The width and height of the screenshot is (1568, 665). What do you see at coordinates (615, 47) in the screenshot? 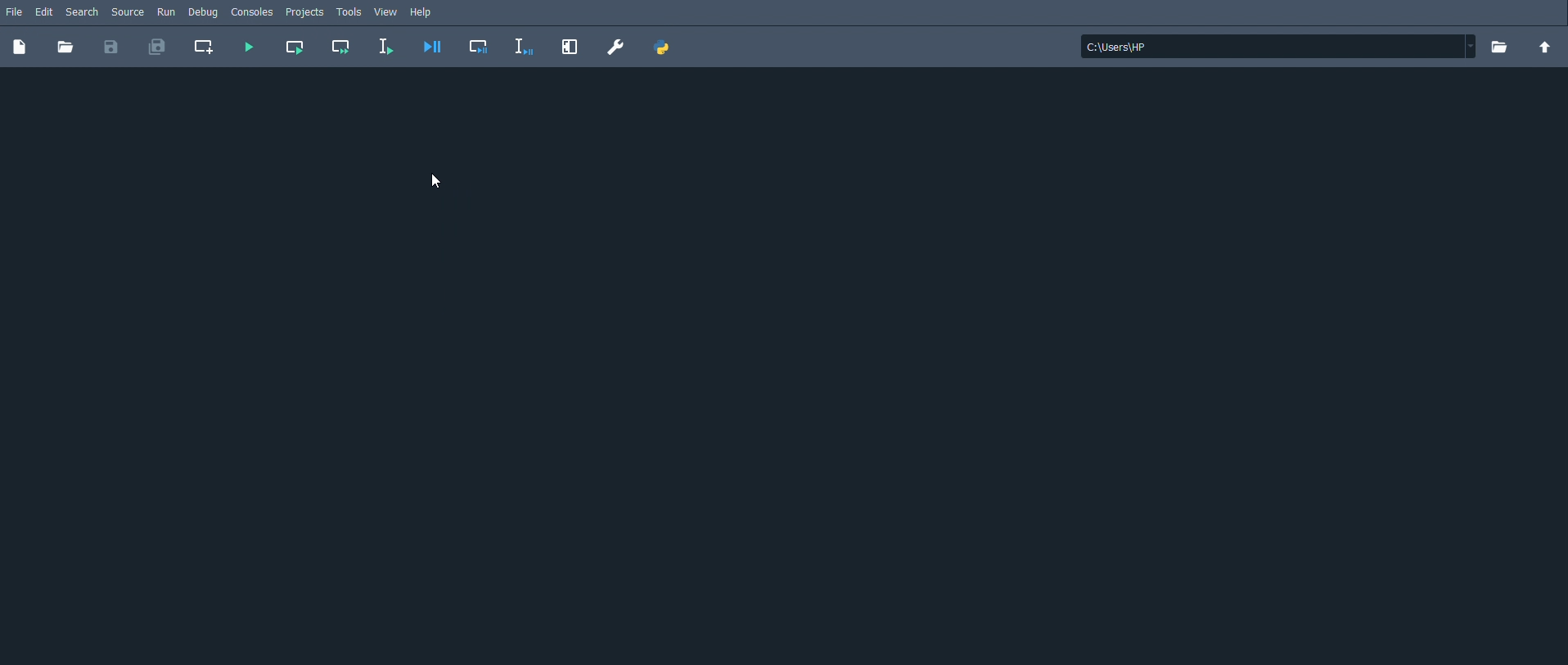
I see `Preferences` at bounding box center [615, 47].